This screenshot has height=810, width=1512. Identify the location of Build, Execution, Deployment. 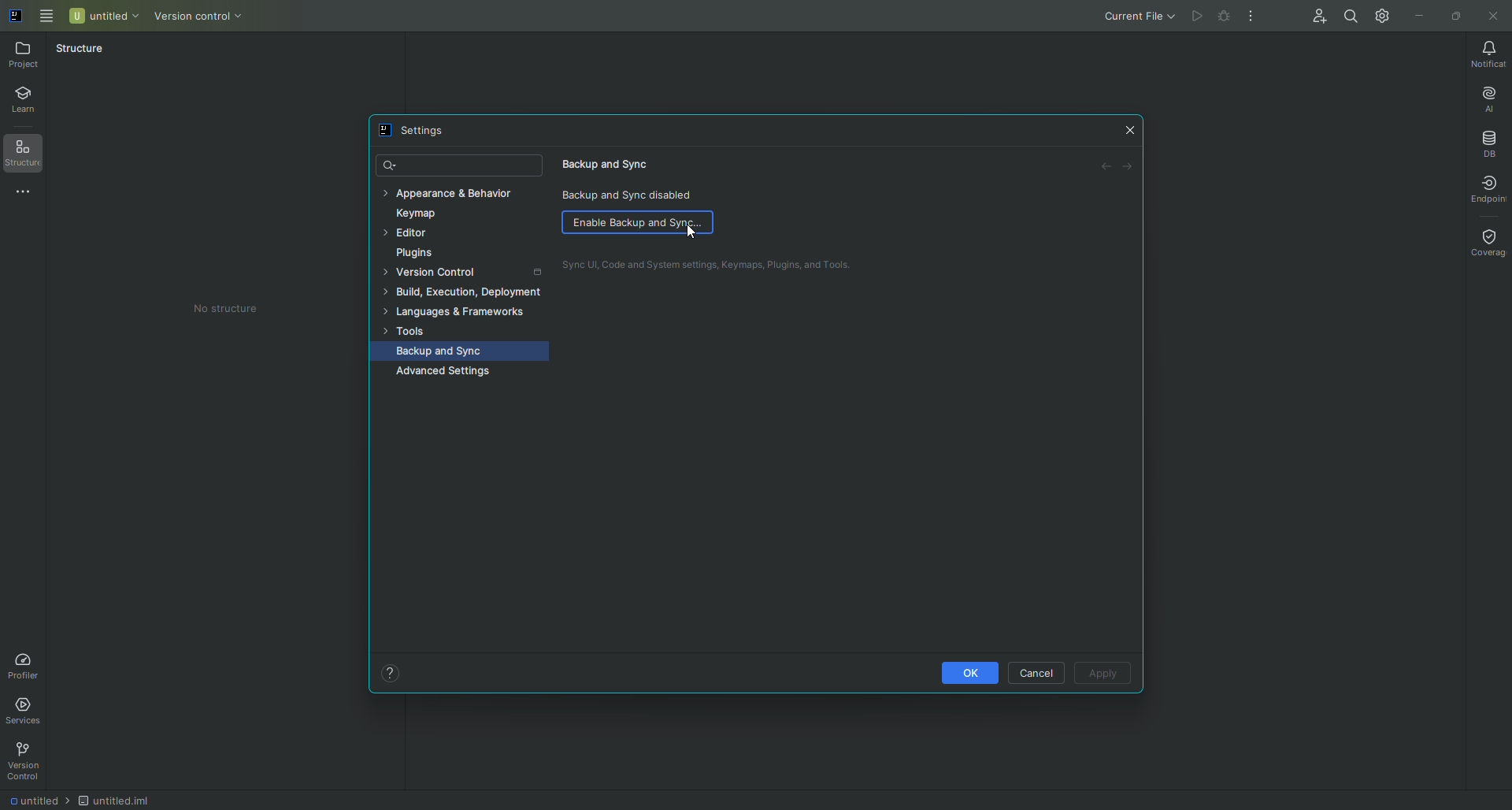
(470, 292).